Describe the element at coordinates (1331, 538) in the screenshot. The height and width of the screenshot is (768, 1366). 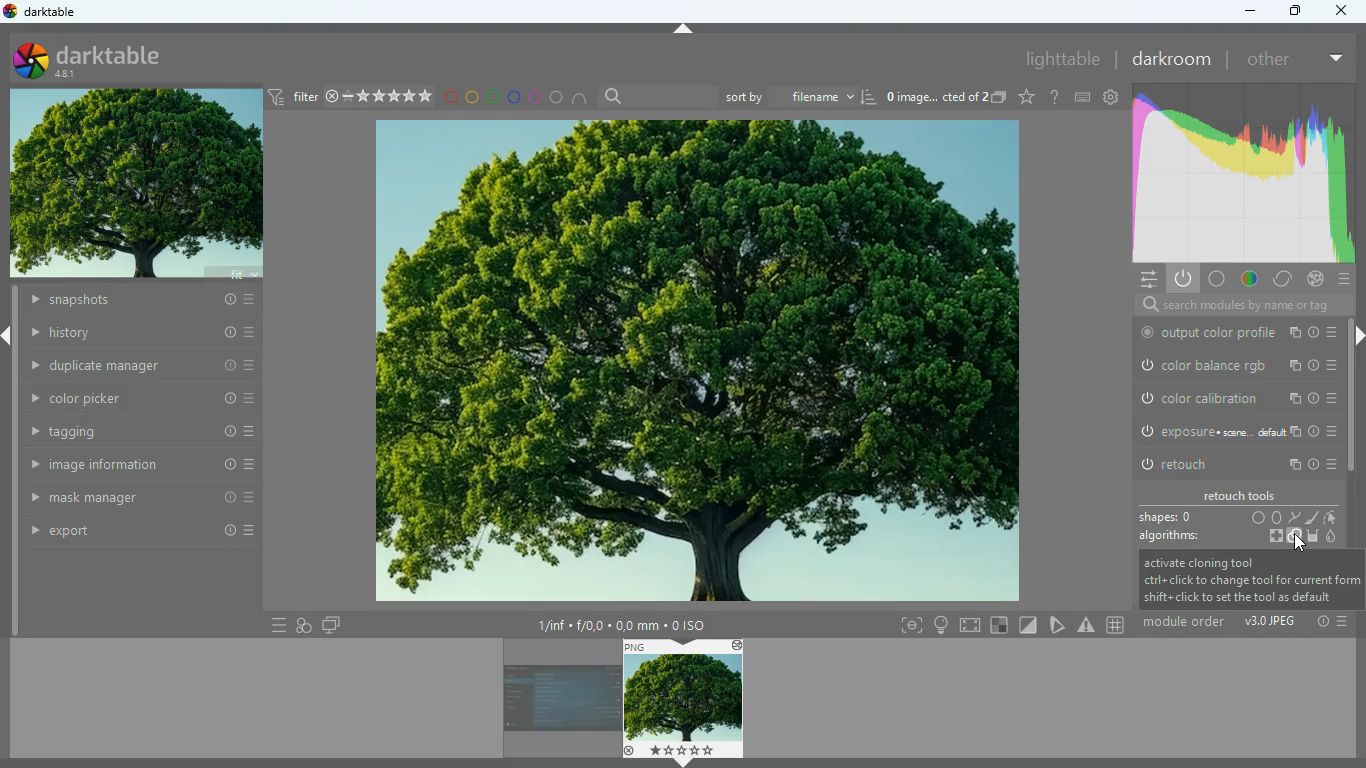
I see `blur` at that location.